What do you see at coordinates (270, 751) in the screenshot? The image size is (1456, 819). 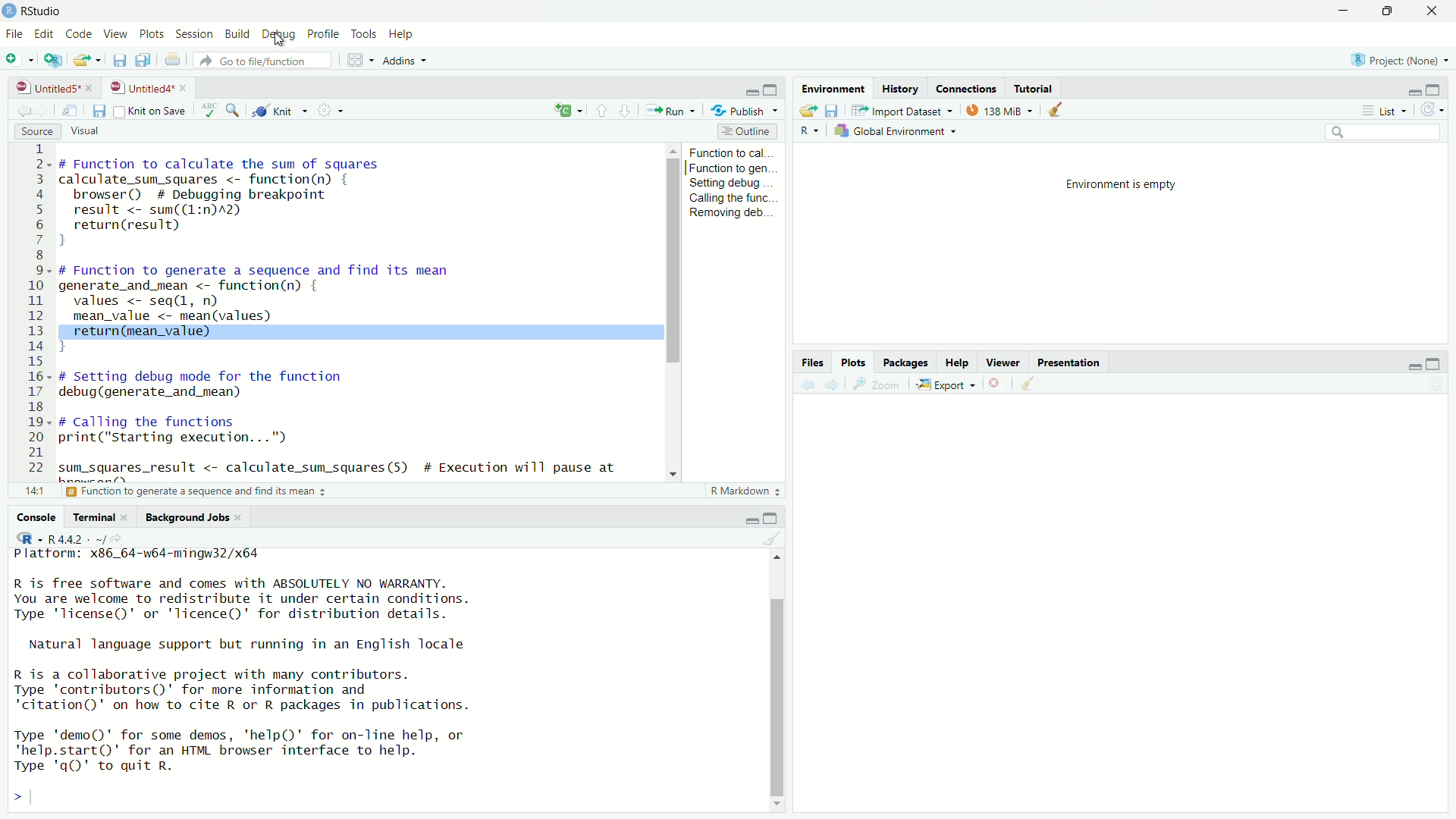 I see `Type 'demo()' for some demos, 'help()' for on-line help, or
'help.start()' for an HTML browser interface to help.
Type 'qgQ' to quit R.` at bounding box center [270, 751].